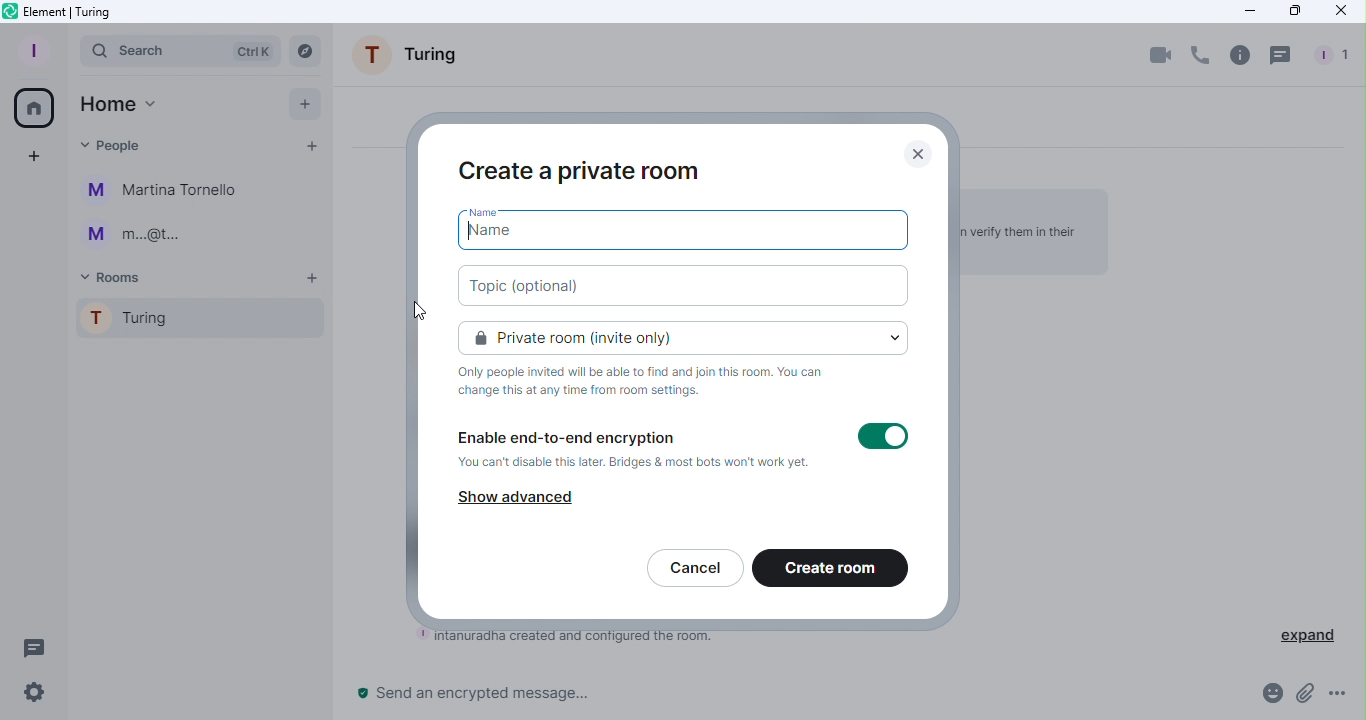  What do you see at coordinates (299, 103) in the screenshot?
I see `Add` at bounding box center [299, 103].